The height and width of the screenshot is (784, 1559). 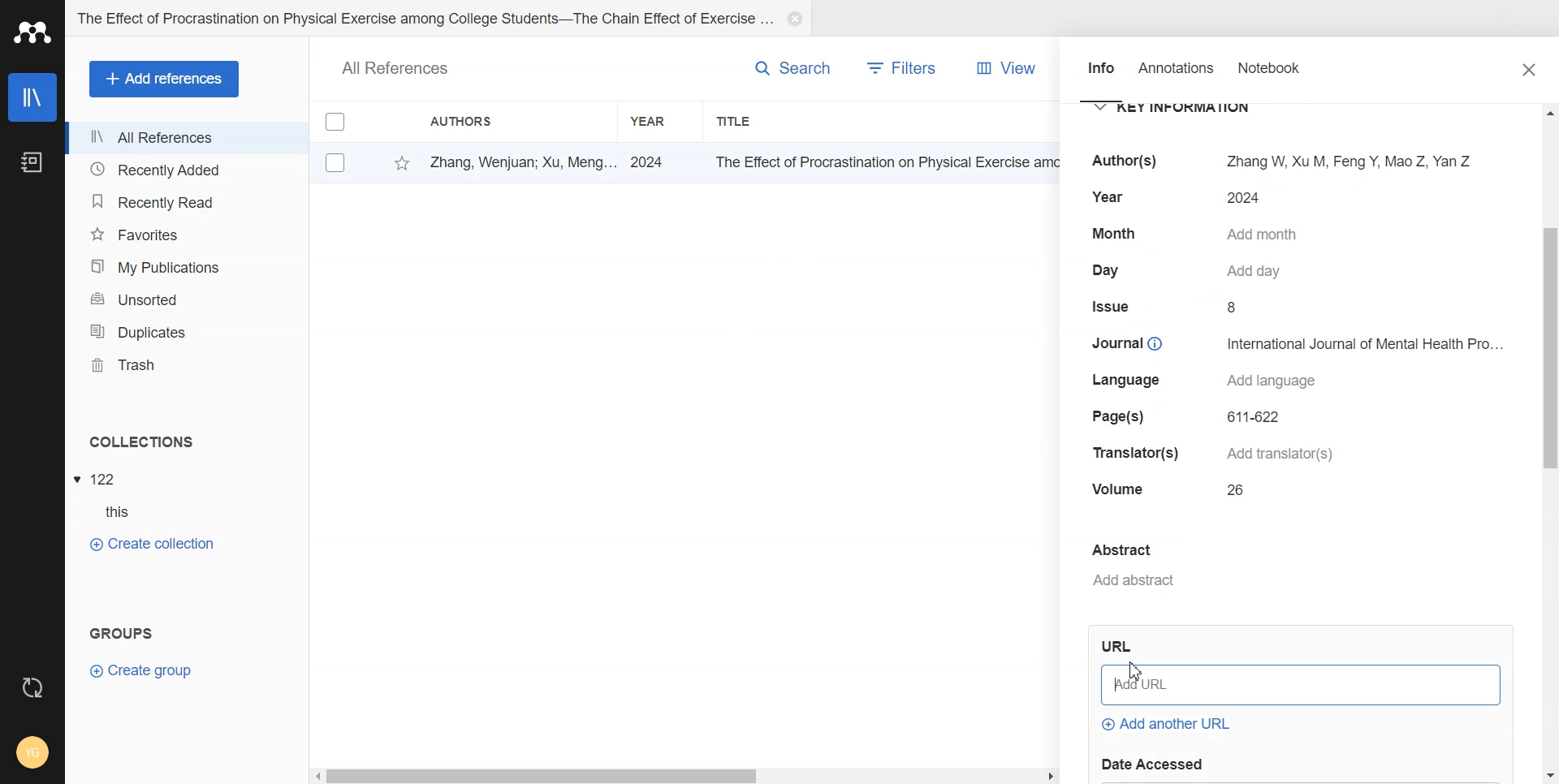 I want to click on Recently Added, so click(x=184, y=170).